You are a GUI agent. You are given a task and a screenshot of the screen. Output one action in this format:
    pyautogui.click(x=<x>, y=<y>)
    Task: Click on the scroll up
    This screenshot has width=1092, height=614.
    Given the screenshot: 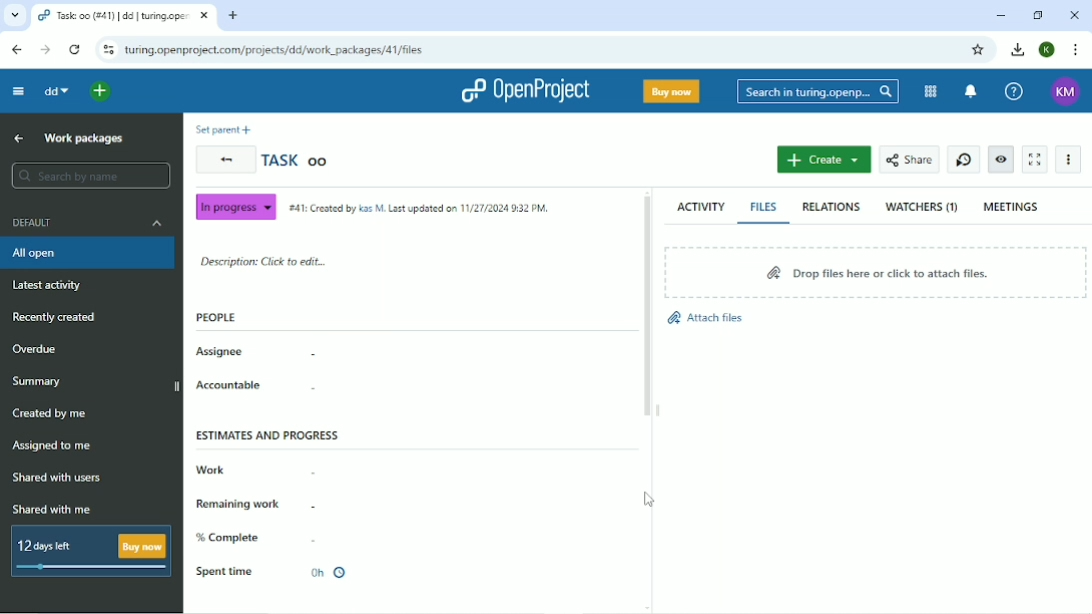 What is the action you would take?
    pyautogui.click(x=650, y=190)
    